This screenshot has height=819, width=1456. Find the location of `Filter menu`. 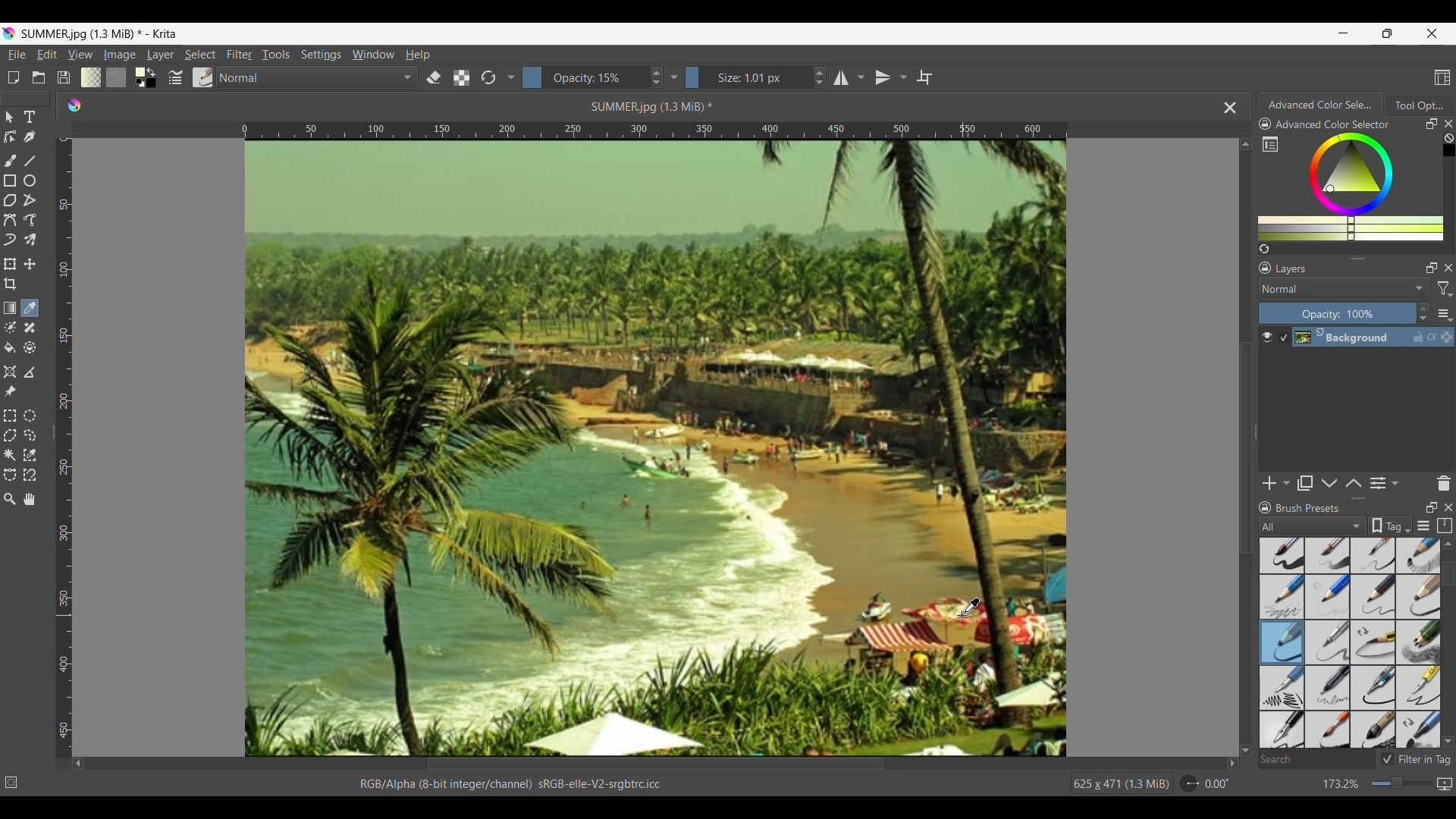

Filter menu is located at coordinates (240, 54).